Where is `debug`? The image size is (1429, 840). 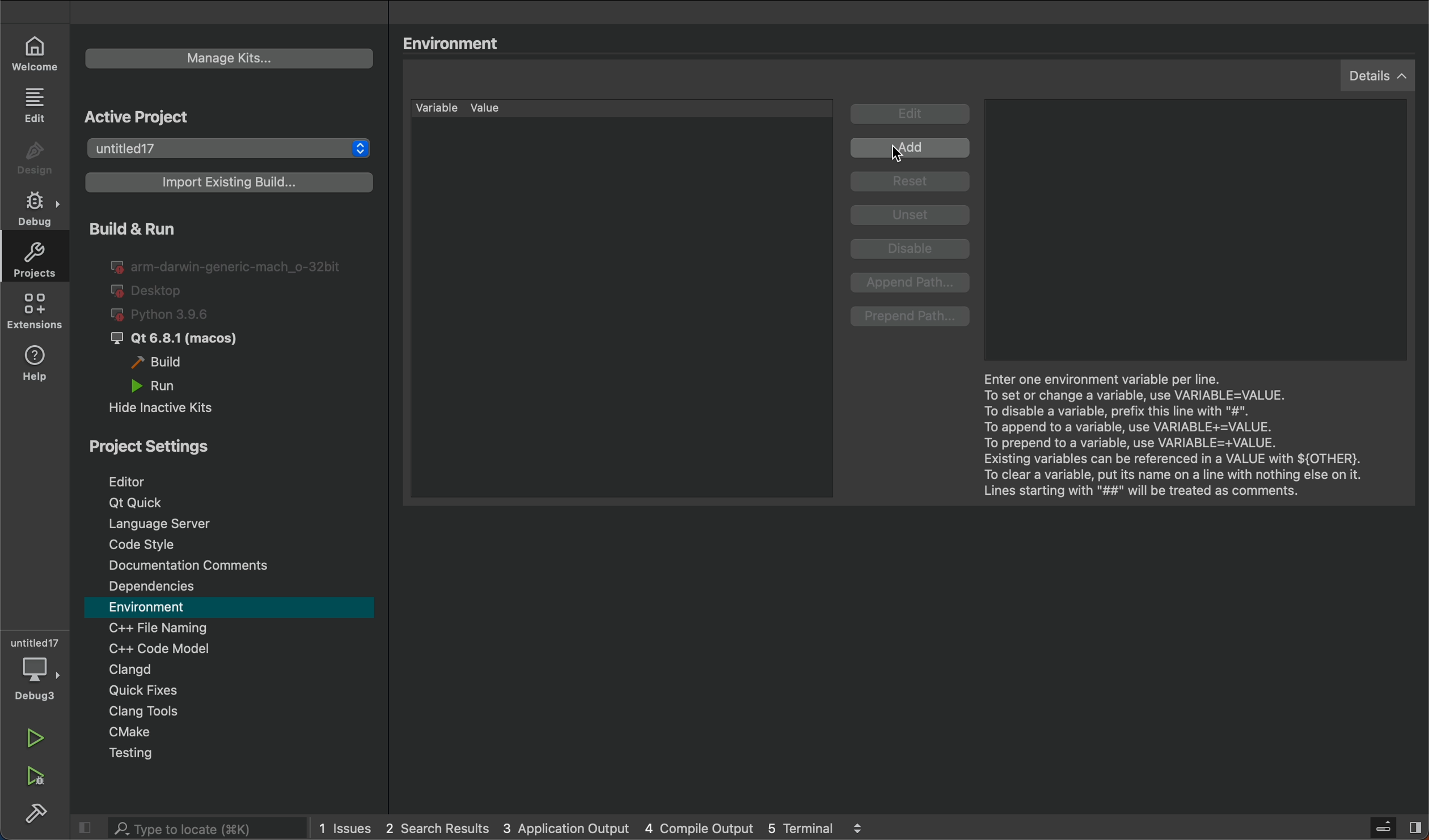
debug is located at coordinates (38, 205).